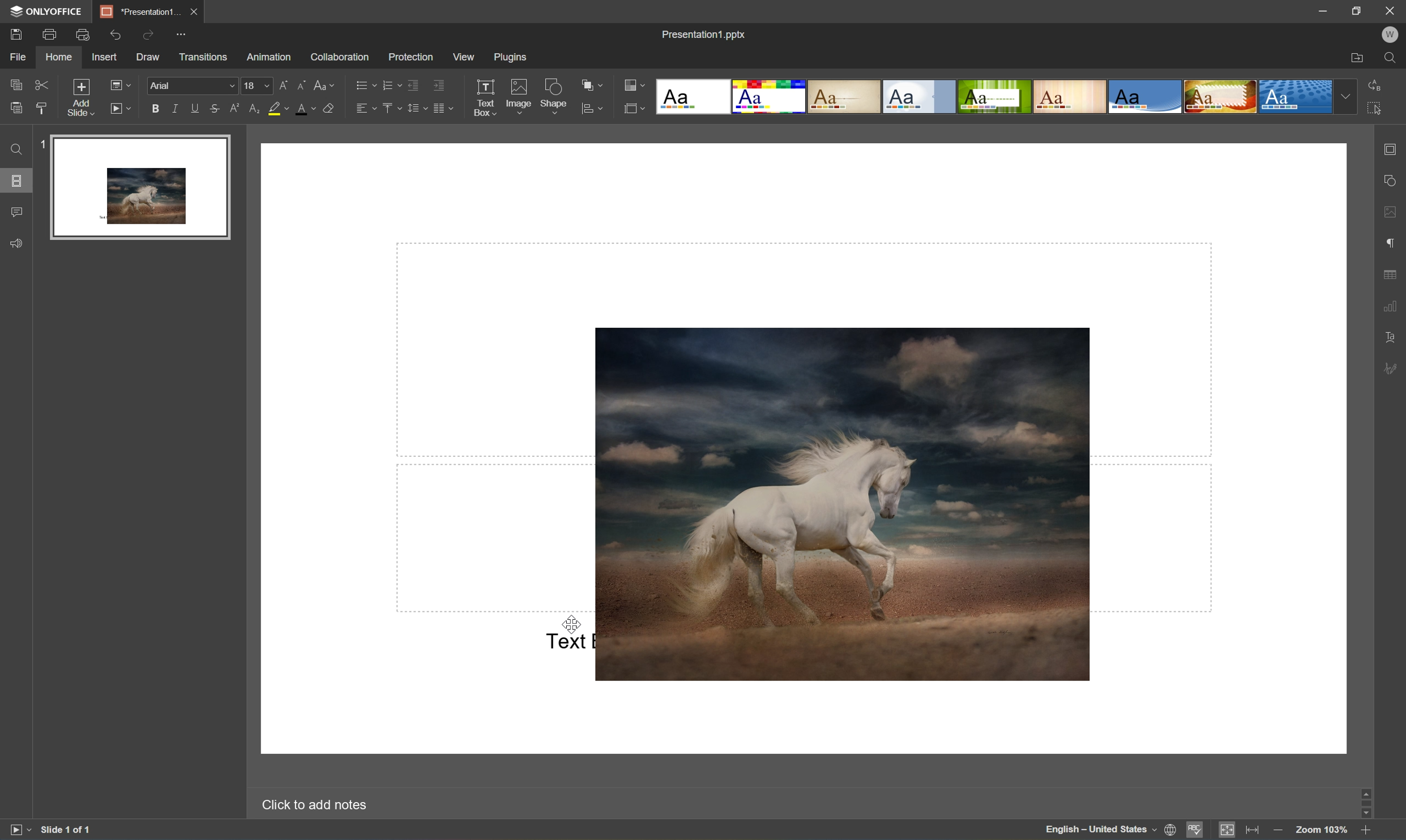 This screenshot has height=840, width=1406. I want to click on Plugins, so click(514, 58).